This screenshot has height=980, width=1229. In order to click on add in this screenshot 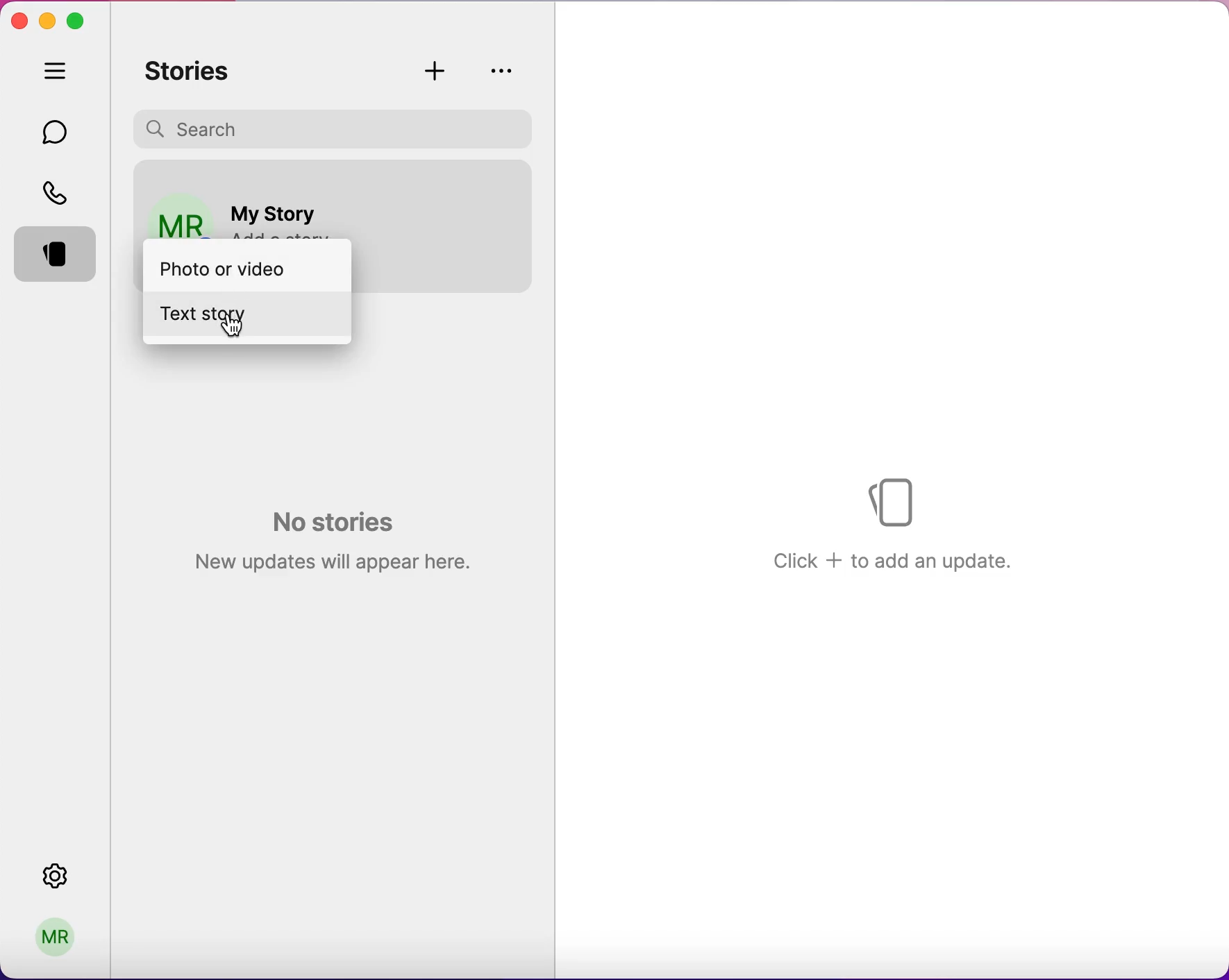, I will do `click(438, 71)`.